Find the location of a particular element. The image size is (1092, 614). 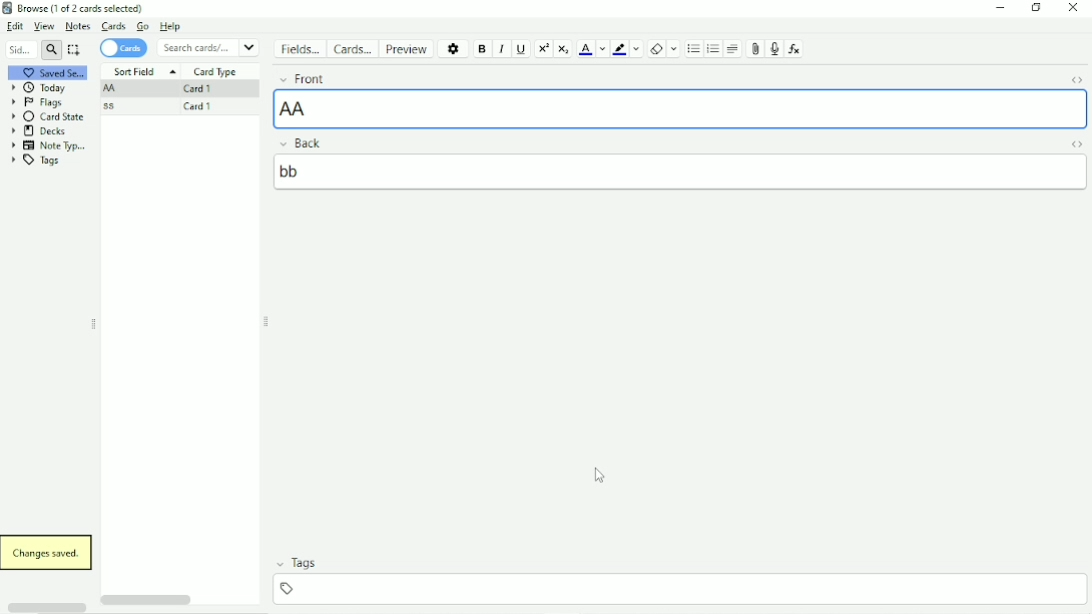

Edit is located at coordinates (16, 26).